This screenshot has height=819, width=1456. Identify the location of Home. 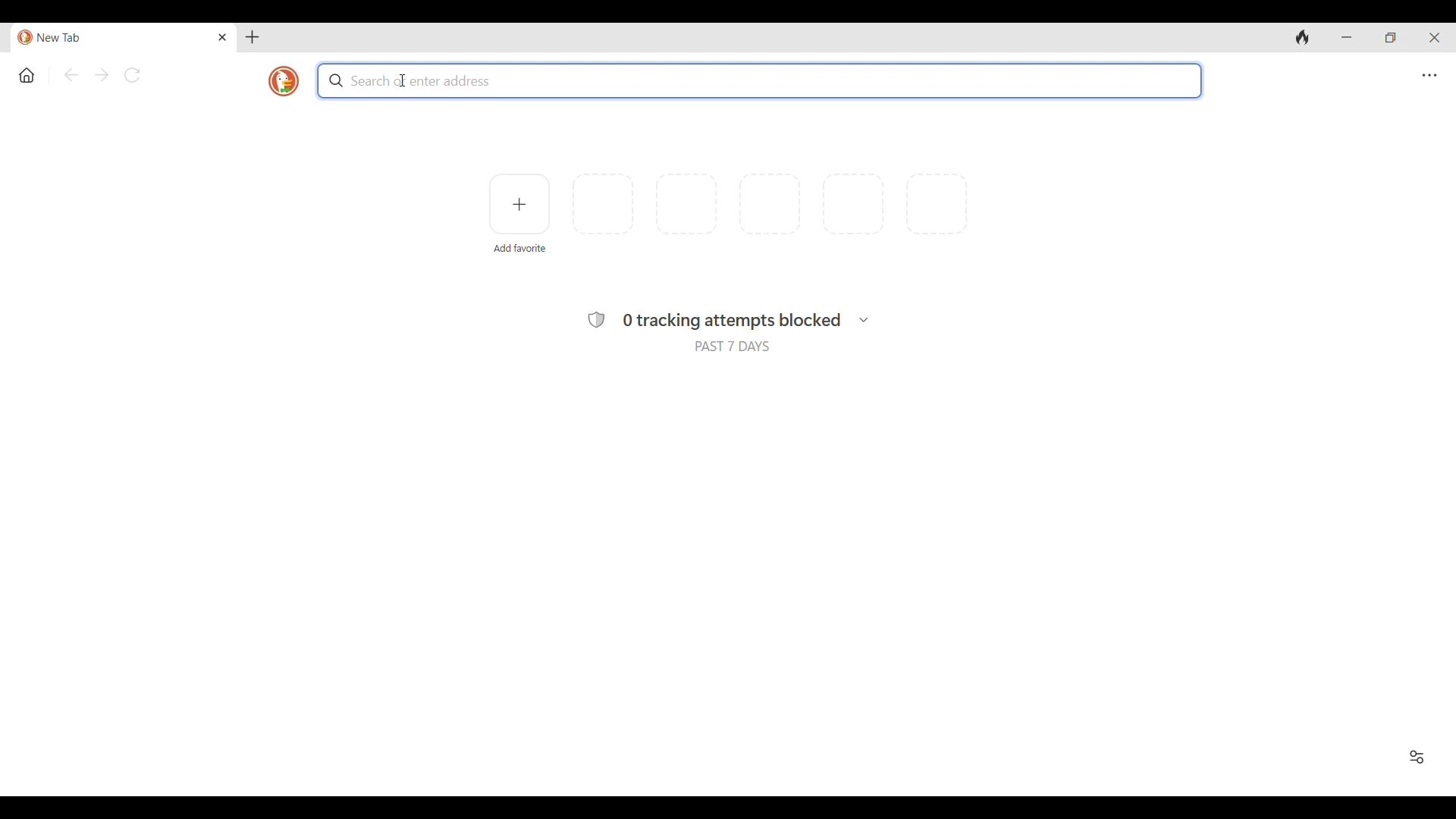
(27, 75).